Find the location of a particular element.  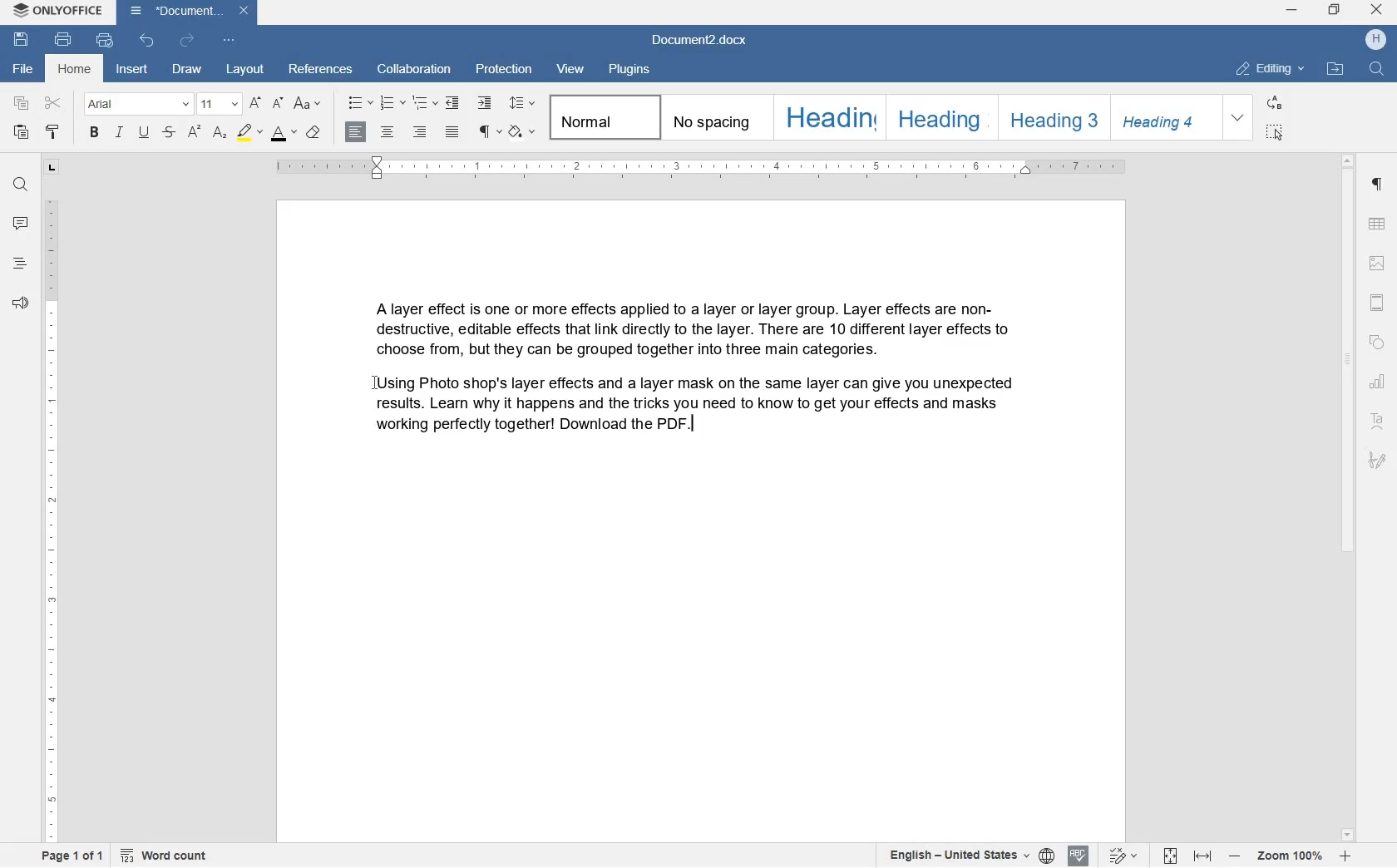

OPEN FILE LOCATION is located at coordinates (1335, 71).